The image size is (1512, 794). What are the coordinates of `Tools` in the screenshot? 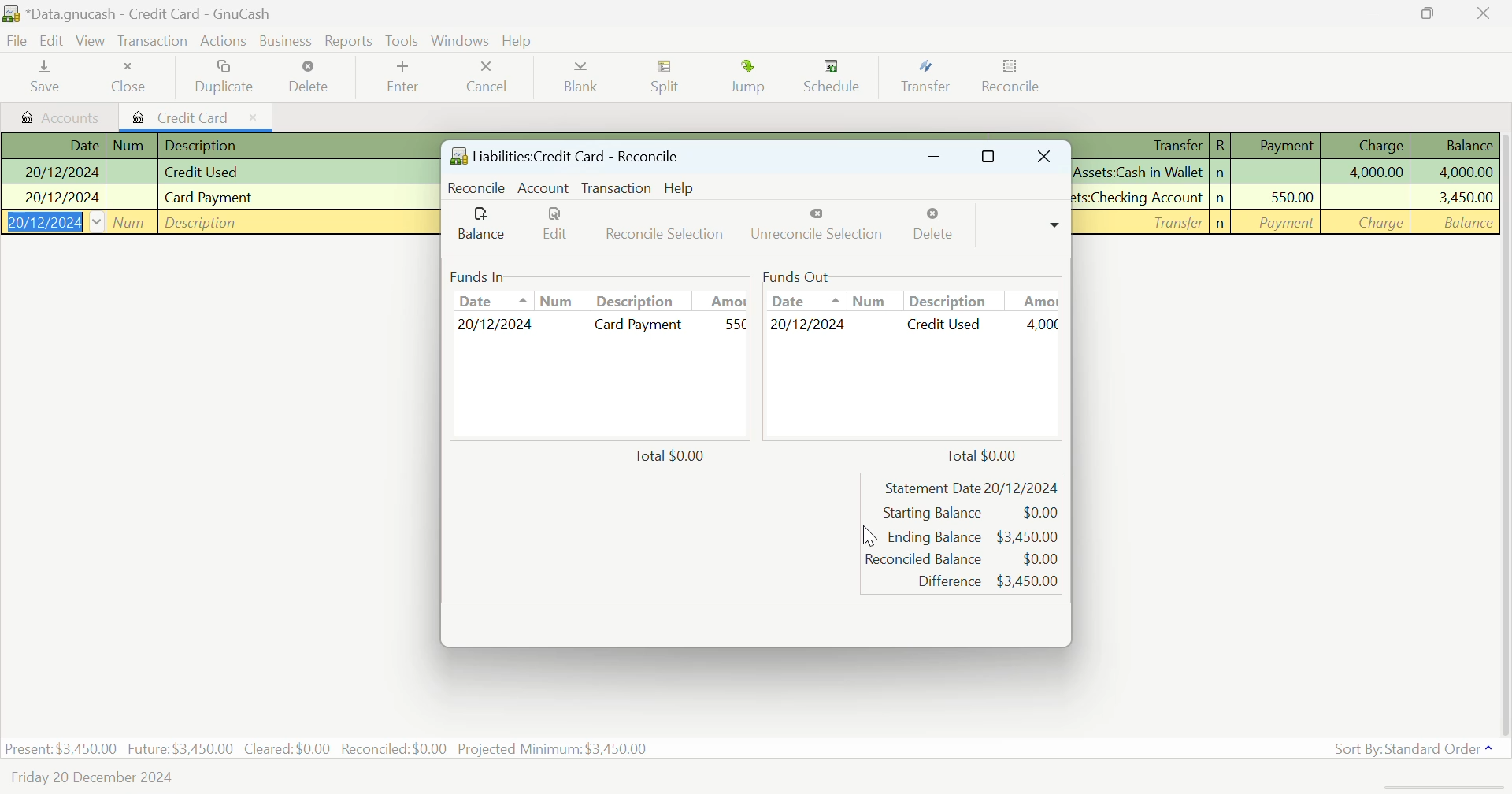 It's located at (403, 41).